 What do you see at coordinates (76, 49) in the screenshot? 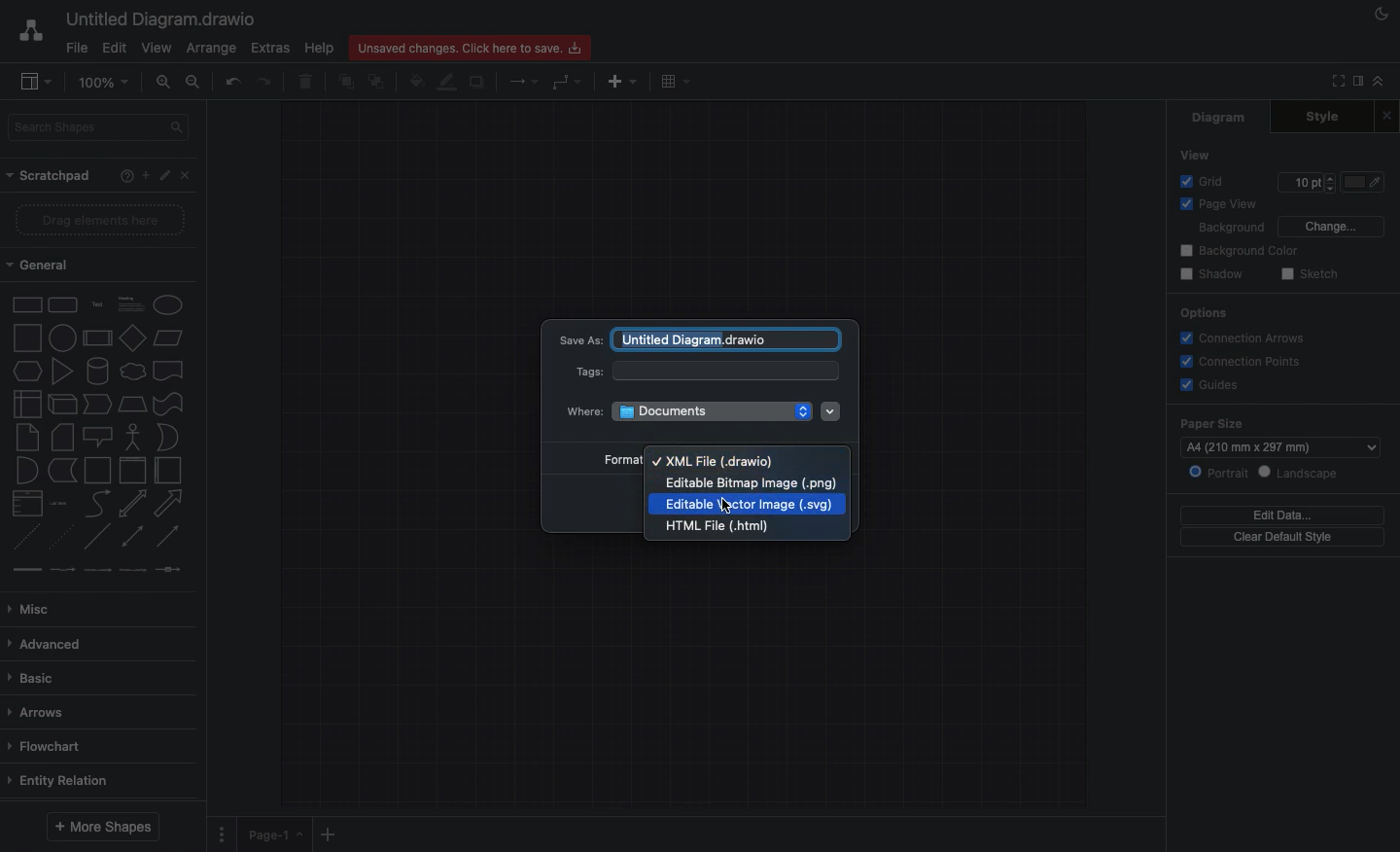
I see `File` at bounding box center [76, 49].